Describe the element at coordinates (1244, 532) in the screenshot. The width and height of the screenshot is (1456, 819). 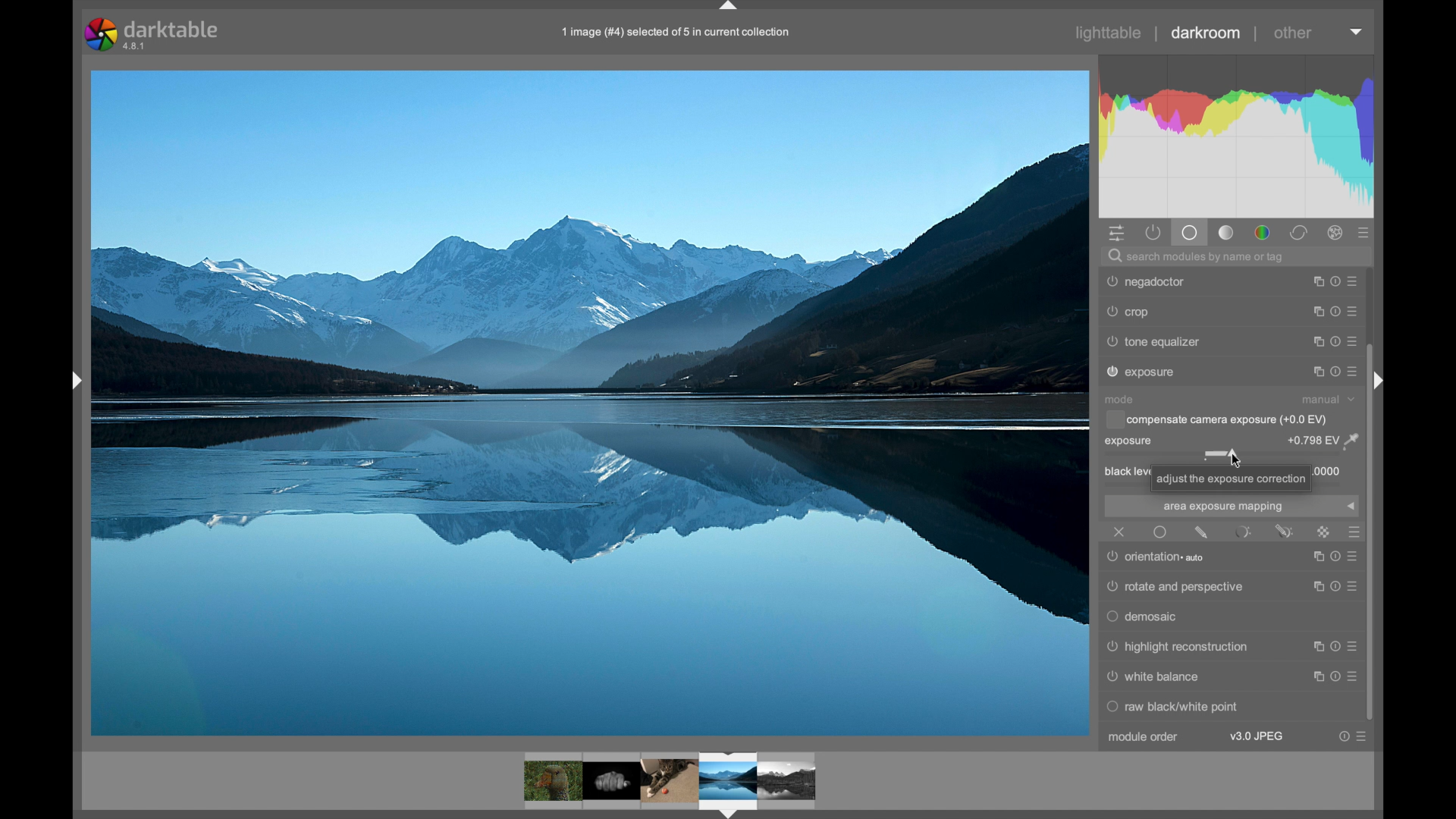
I see `parametric mask` at that location.